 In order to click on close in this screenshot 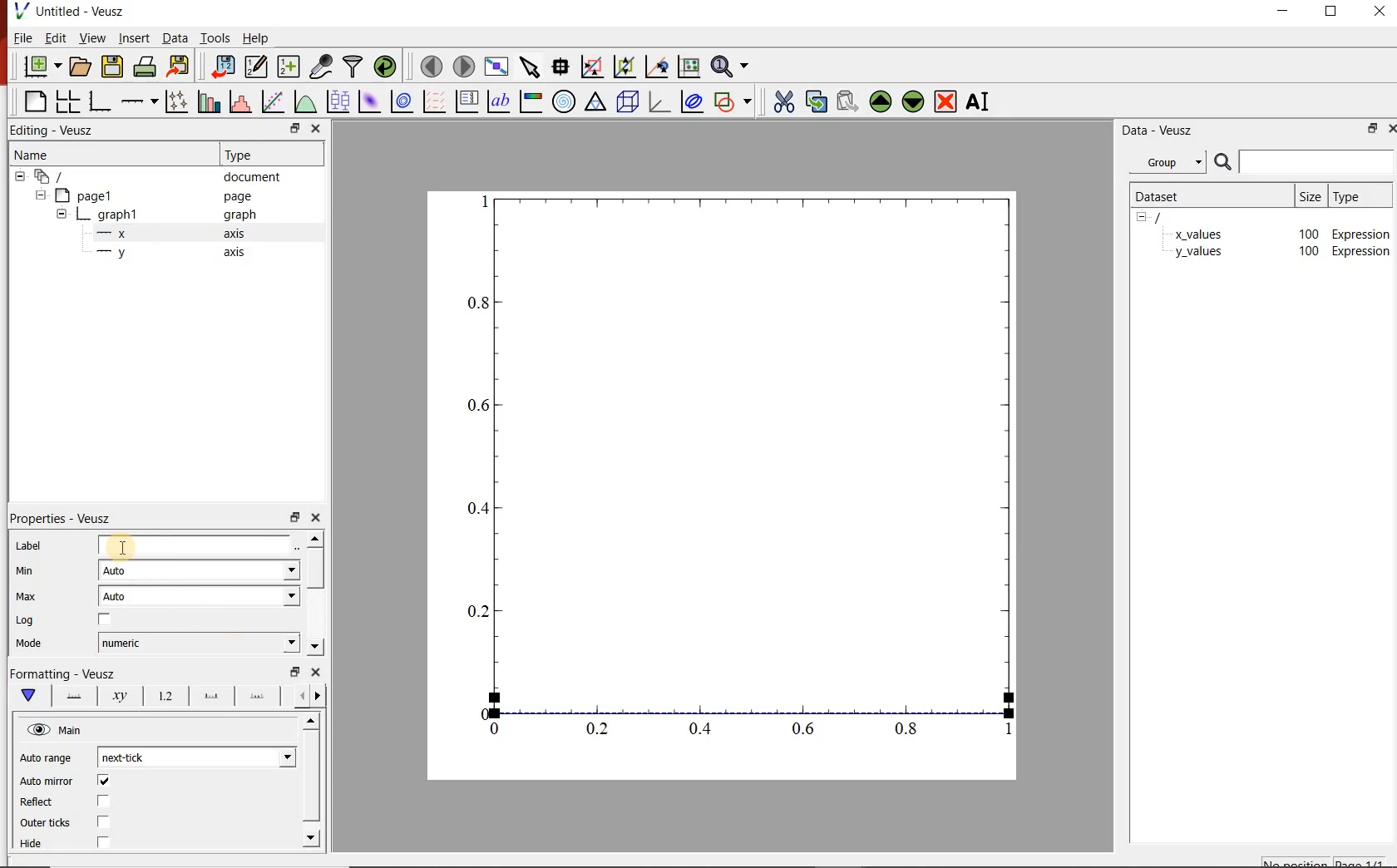, I will do `click(1389, 128)`.